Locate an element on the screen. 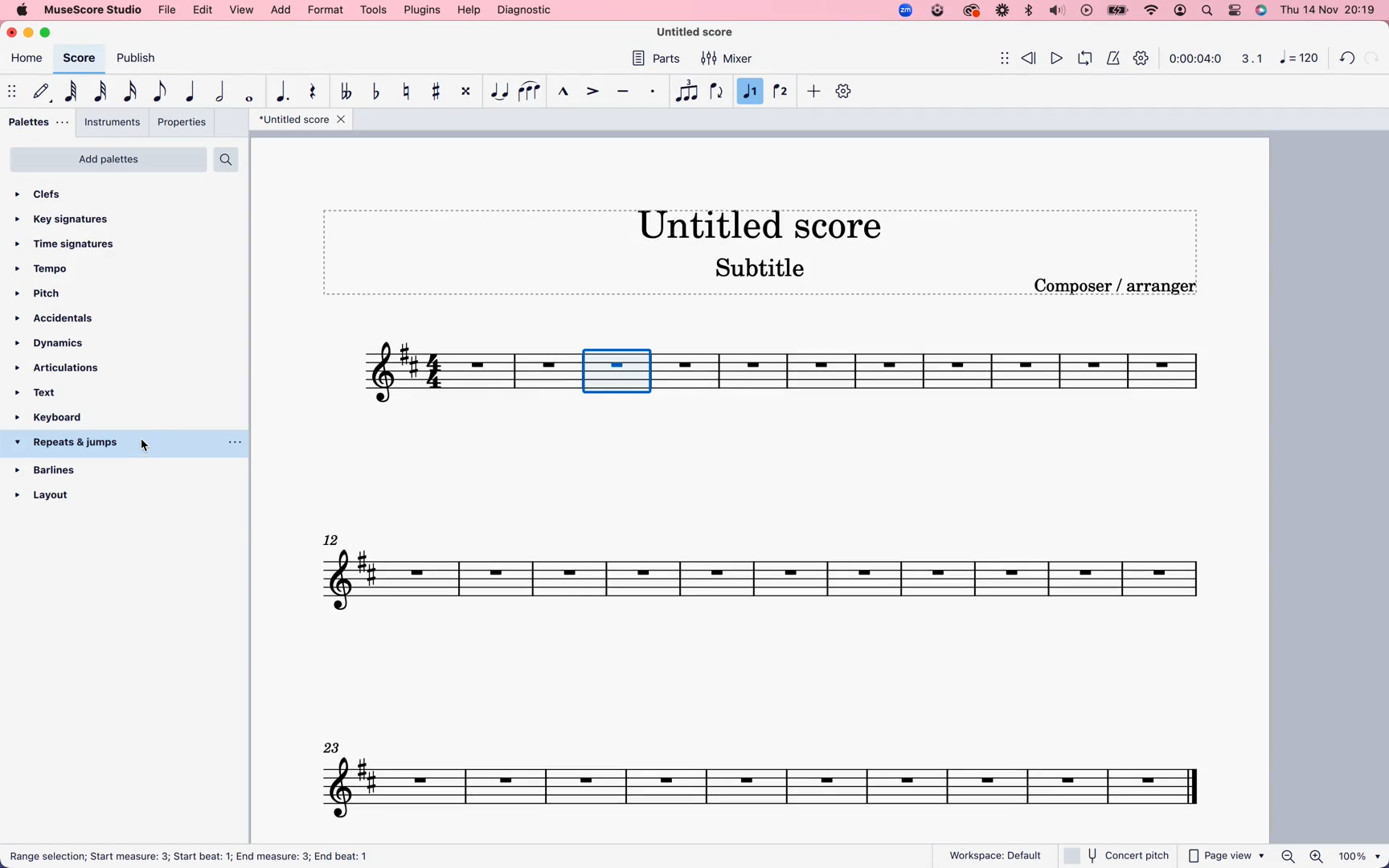 The width and height of the screenshot is (1389, 868). toggle double flat is located at coordinates (348, 92).